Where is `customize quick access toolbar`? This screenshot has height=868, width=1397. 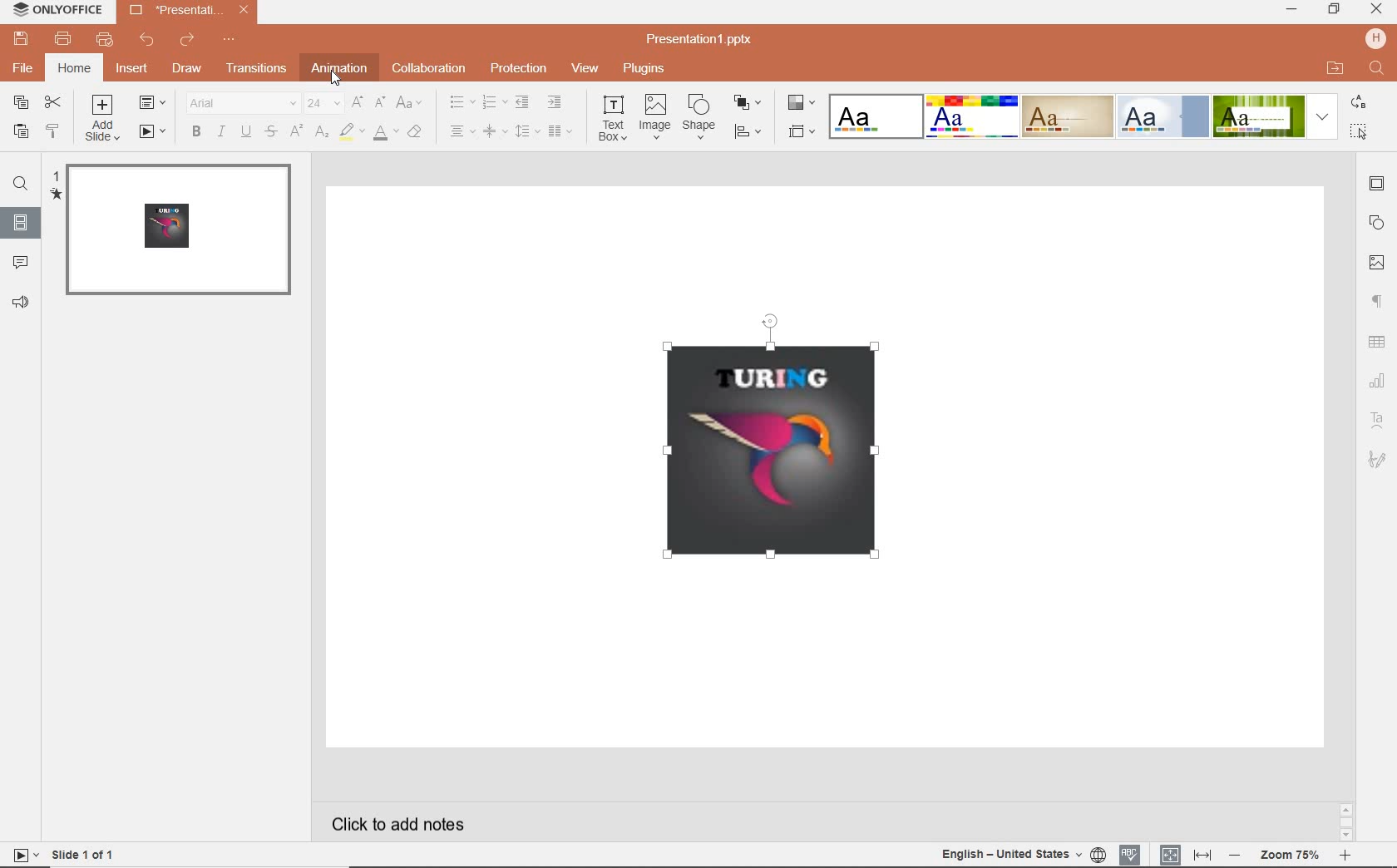 customize quick access toolbar is located at coordinates (228, 39).